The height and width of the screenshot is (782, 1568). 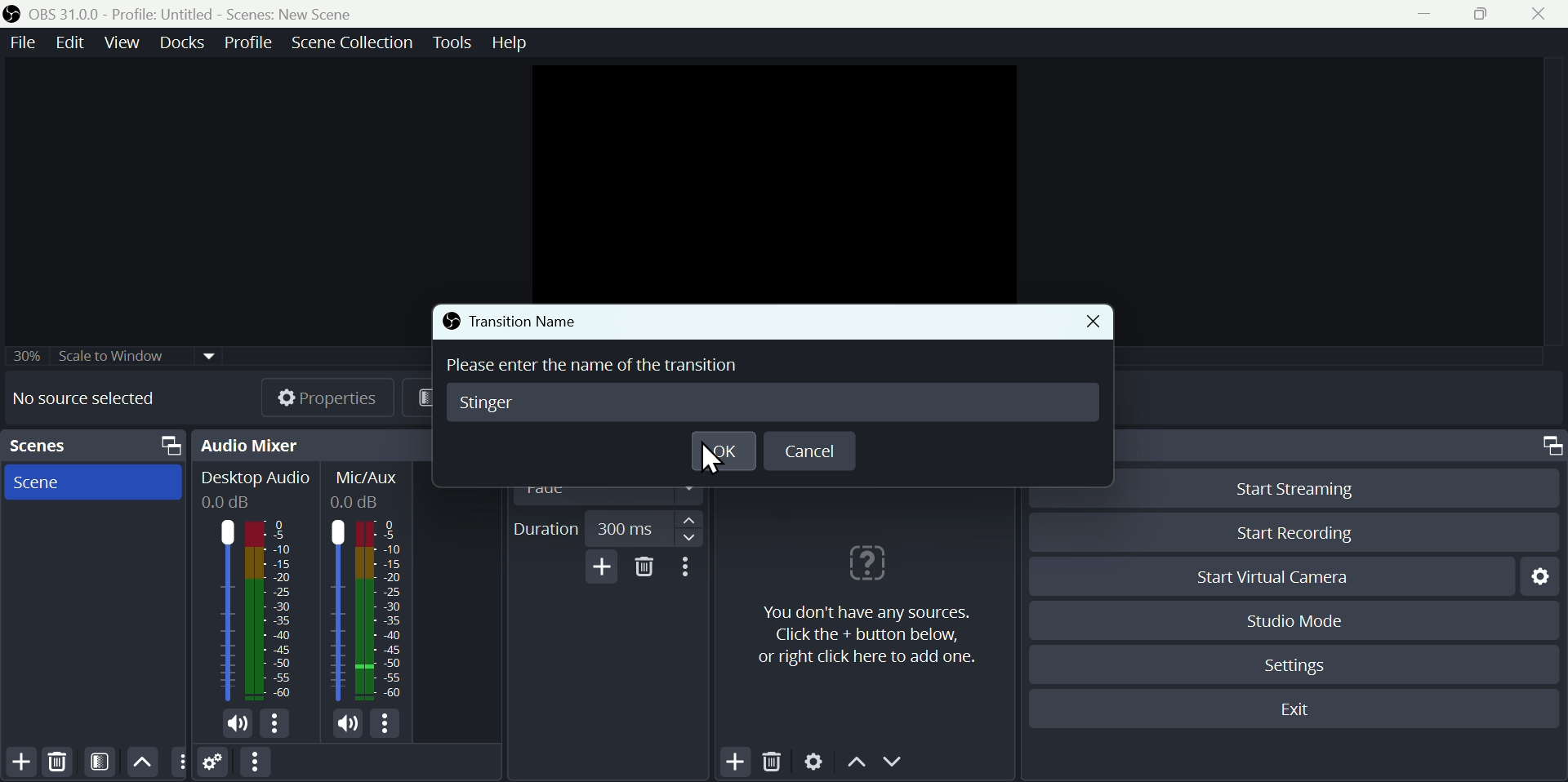 I want to click on volume, so click(x=233, y=725).